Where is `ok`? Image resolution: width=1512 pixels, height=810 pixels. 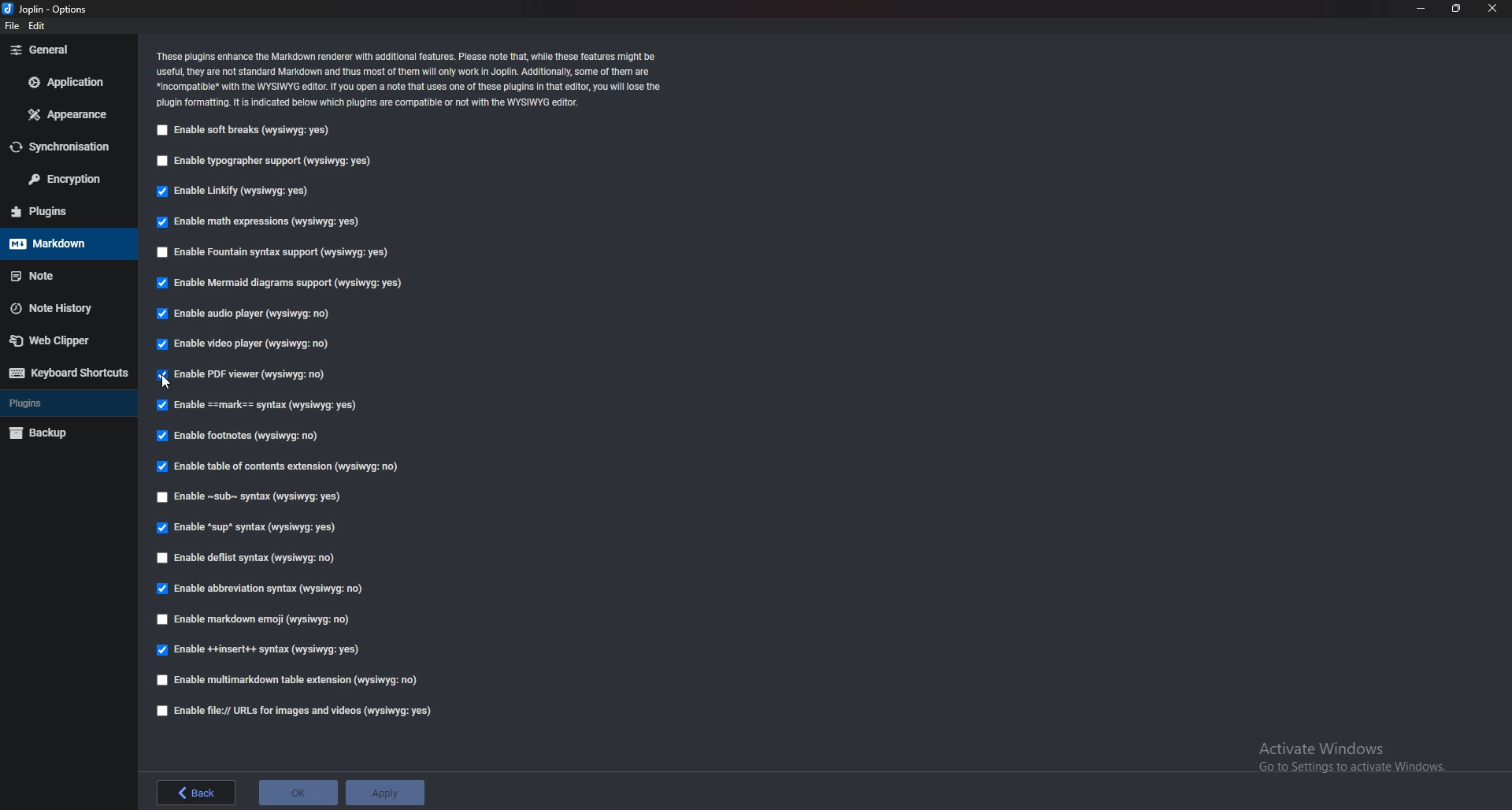 ok is located at coordinates (298, 791).